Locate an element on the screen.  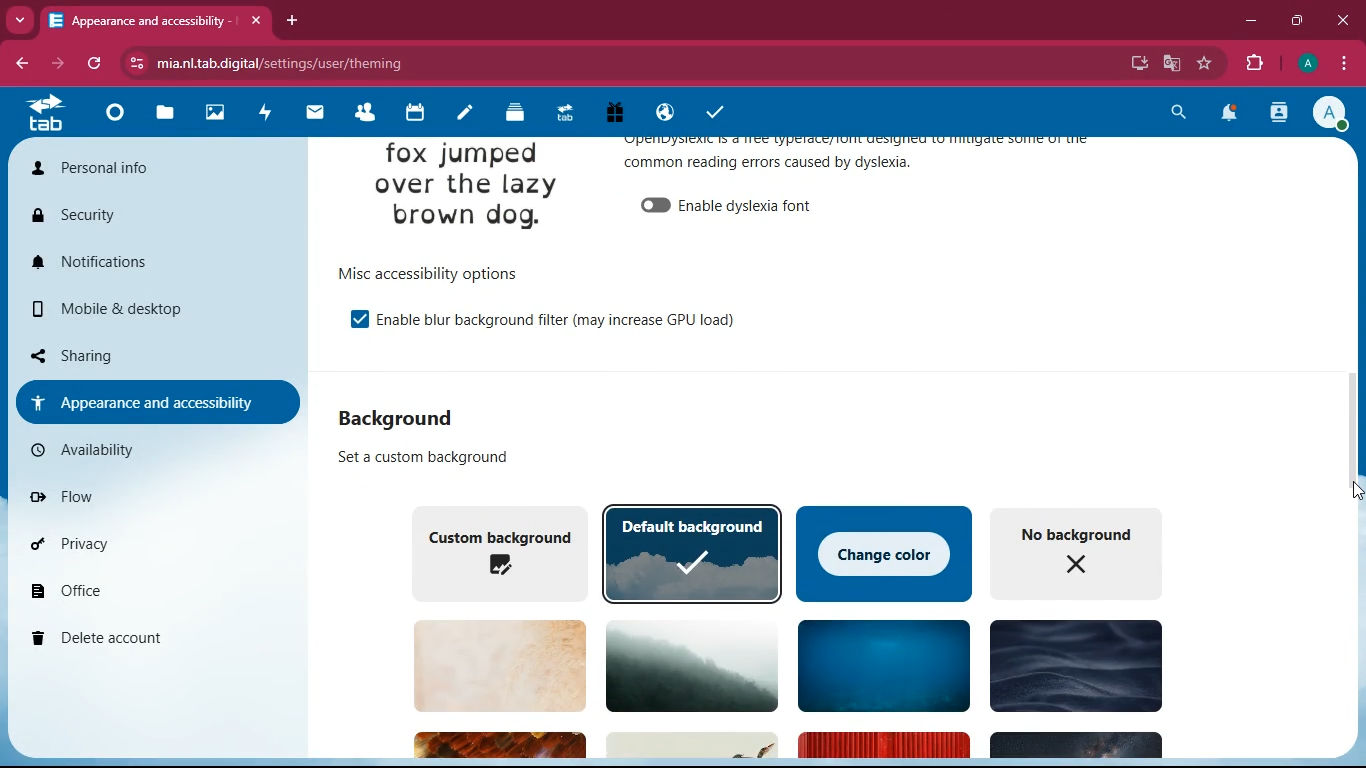
activity is located at coordinates (1280, 115).